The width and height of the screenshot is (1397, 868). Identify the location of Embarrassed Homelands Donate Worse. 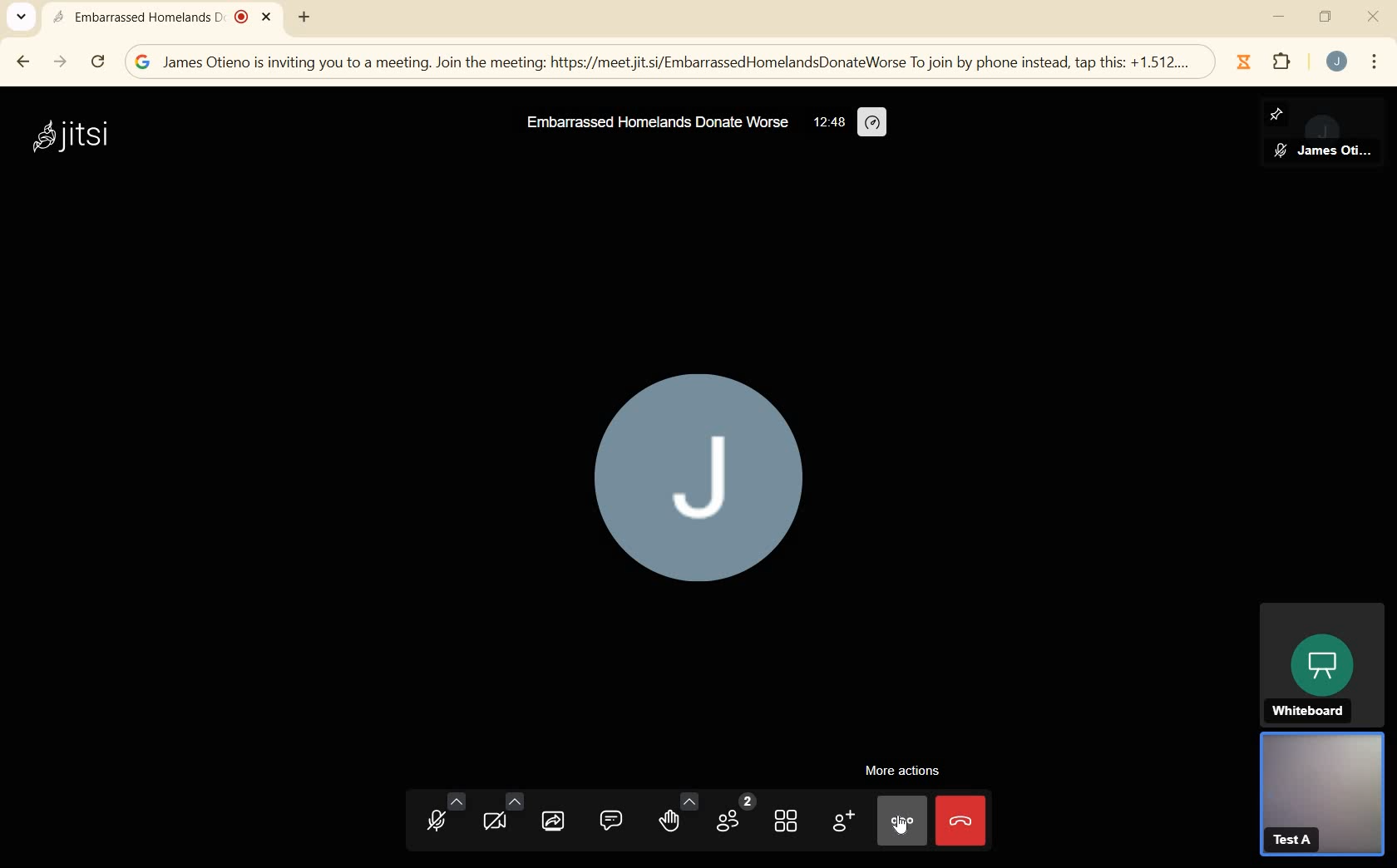
(659, 122).